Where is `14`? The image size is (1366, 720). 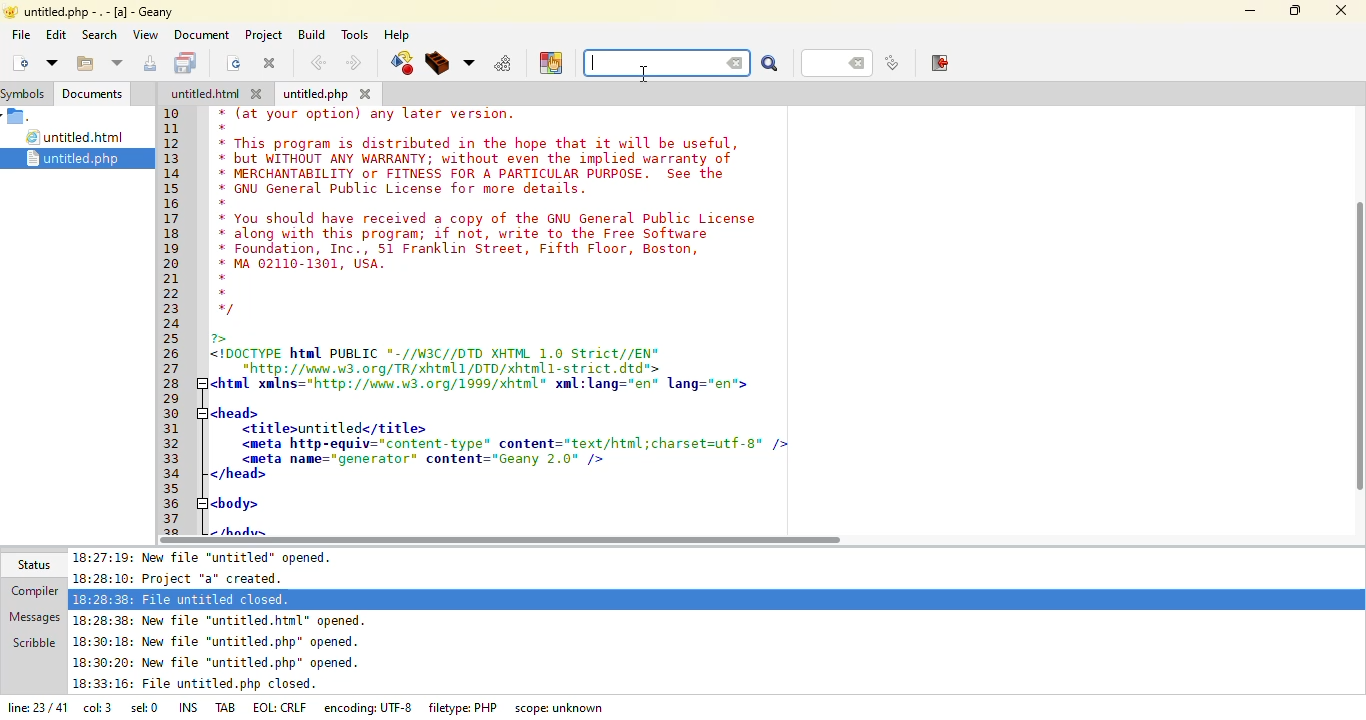 14 is located at coordinates (174, 174).